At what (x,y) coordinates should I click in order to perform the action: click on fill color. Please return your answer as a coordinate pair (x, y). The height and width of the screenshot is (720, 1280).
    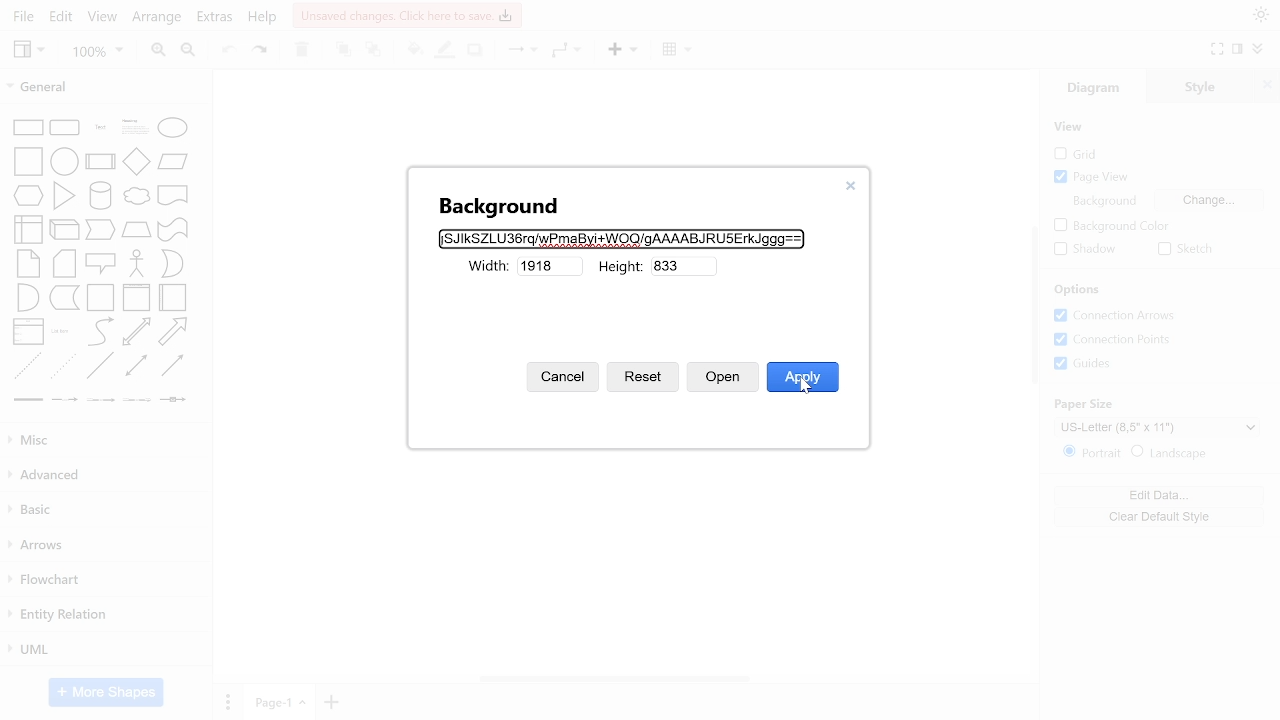
    Looking at the image, I should click on (412, 49).